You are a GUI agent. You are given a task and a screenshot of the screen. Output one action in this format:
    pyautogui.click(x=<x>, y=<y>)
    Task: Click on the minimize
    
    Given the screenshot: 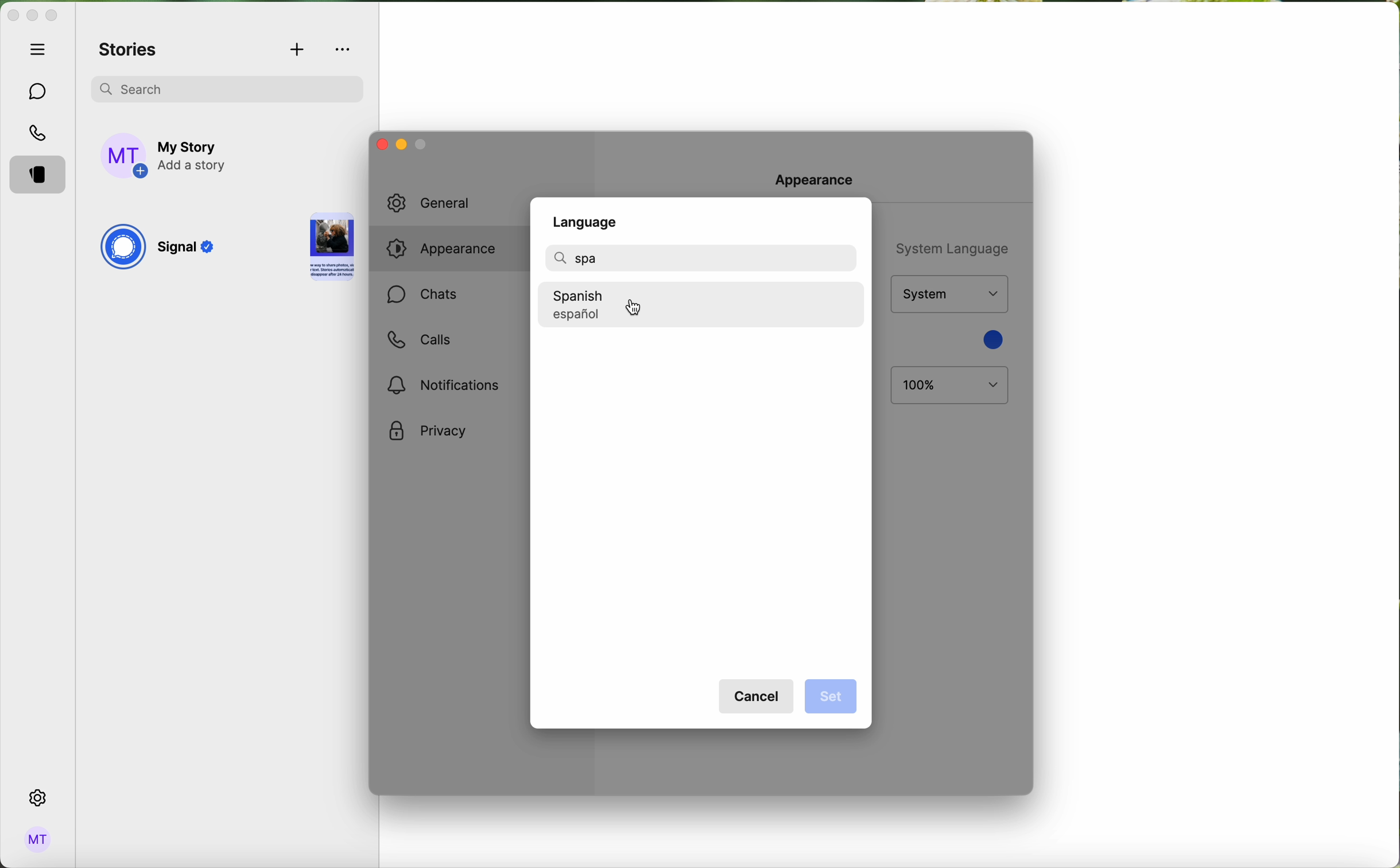 What is the action you would take?
    pyautogui.click(x=32, y=17)
    